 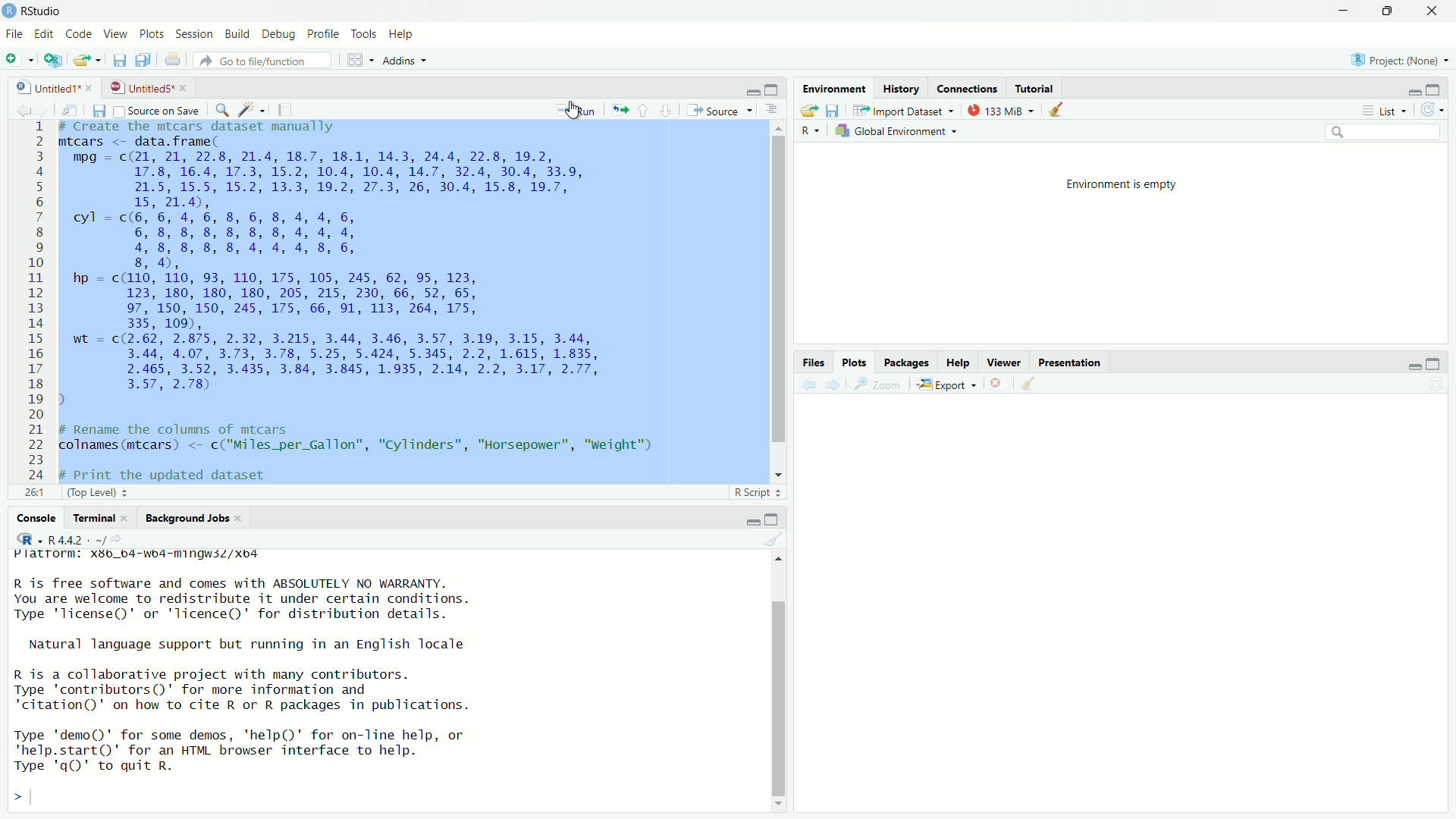 What do you see at coordinates (810, 130) in the screenshot?
I see `R~` at bounding box center [810, 130].